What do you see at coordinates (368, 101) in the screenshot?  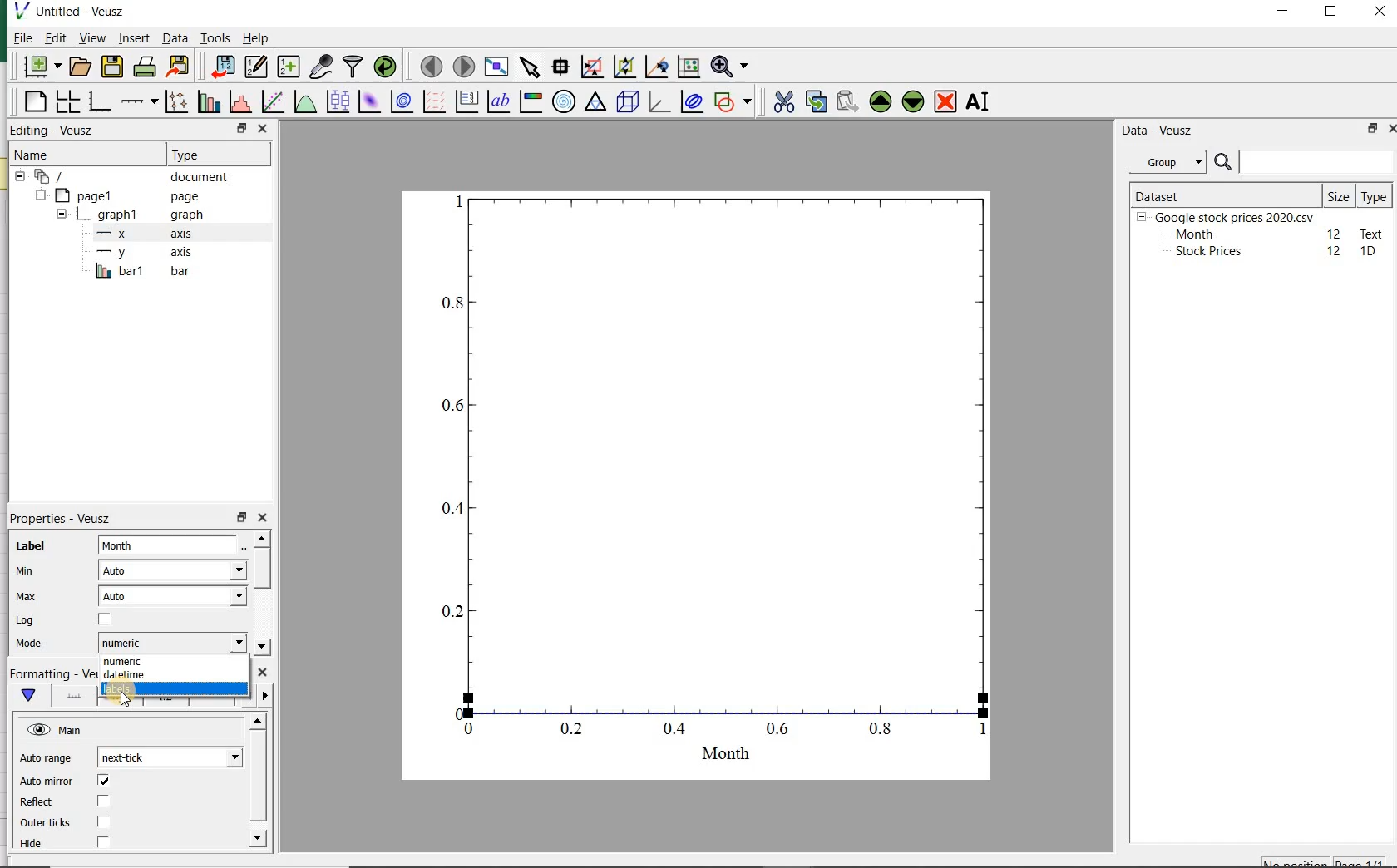 I see `plot a 2d dataset as an image` at bounding box center [368, 101].